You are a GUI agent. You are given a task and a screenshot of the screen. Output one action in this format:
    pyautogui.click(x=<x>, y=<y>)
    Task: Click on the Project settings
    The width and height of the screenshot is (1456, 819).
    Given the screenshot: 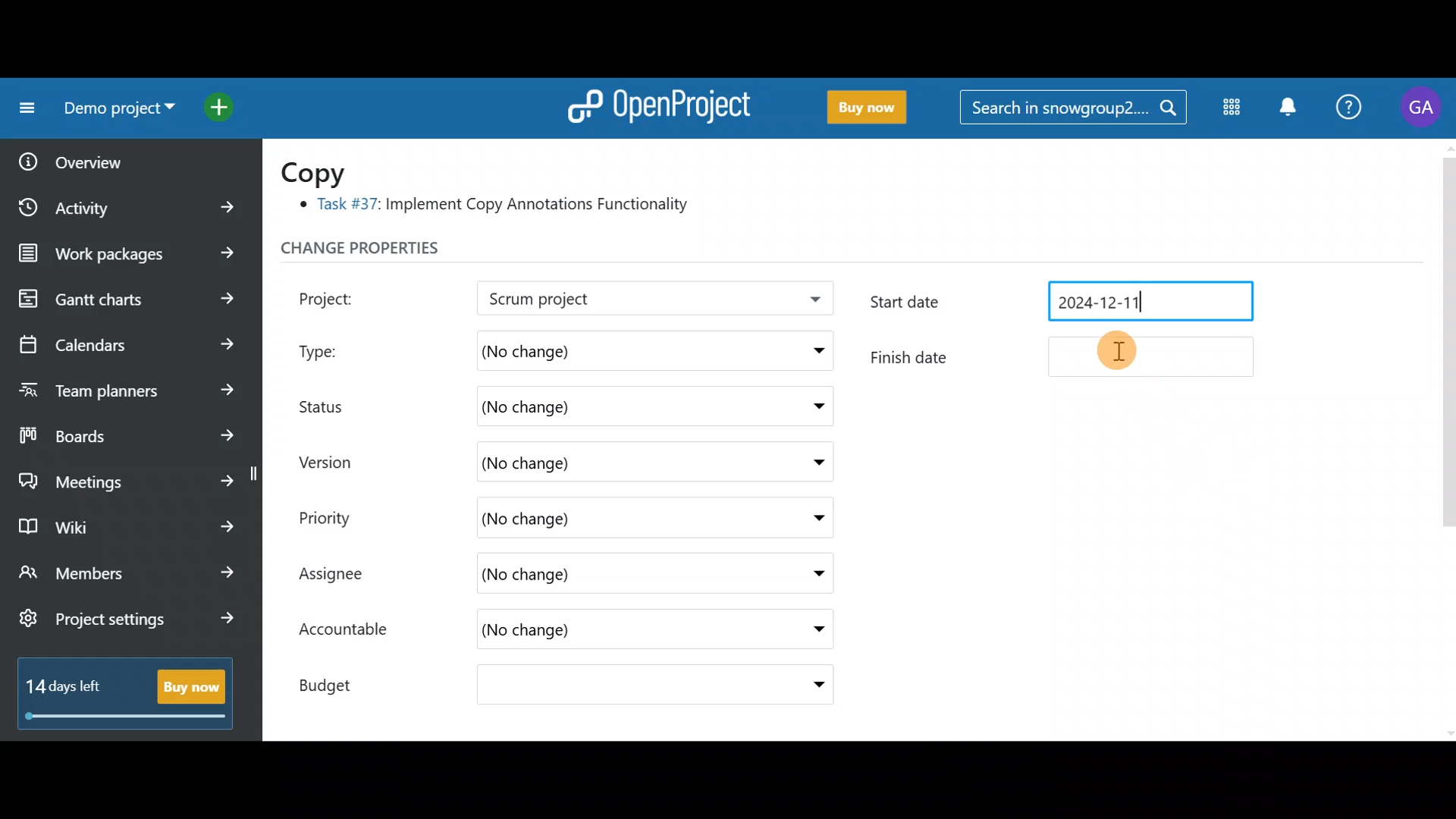 What is the action you would take?
    pyautogui.click(x=127, y=626)
    